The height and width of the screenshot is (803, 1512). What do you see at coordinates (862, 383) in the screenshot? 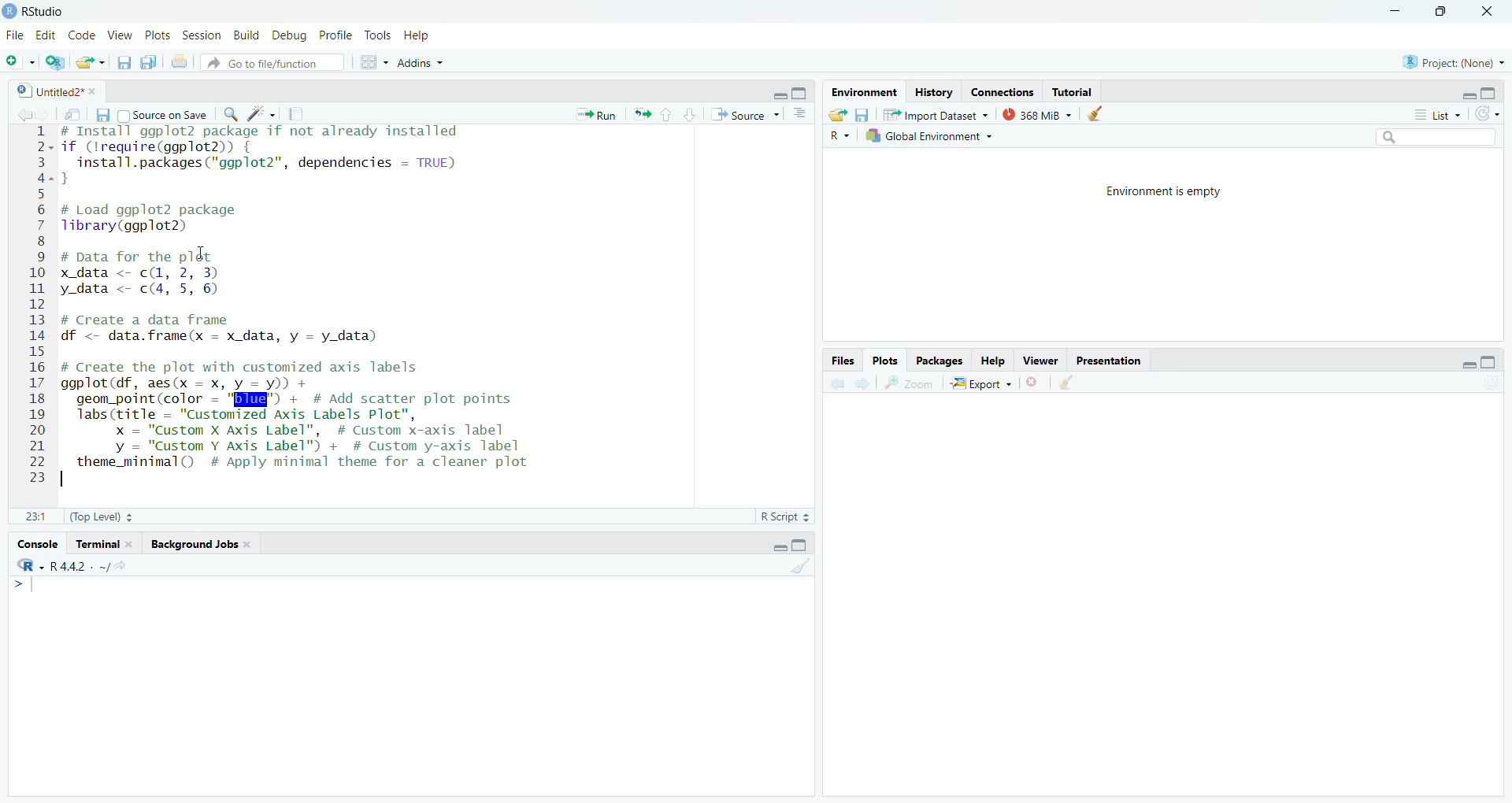
I see `next` at bounding box center [862, 383].